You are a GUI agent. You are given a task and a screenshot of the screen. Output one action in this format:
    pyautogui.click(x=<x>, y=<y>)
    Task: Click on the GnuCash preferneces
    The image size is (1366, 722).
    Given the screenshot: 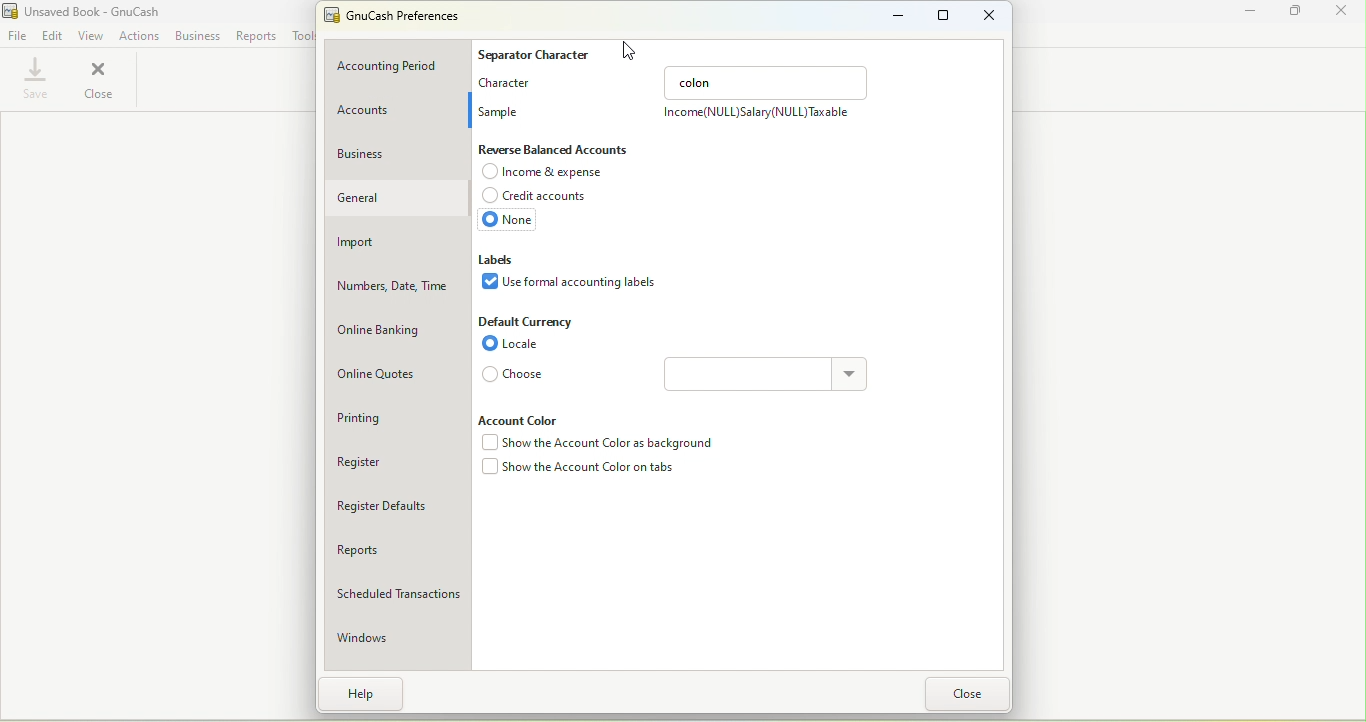 What is the action you would take?
    pyautogui.click(x=392, y=15)
    